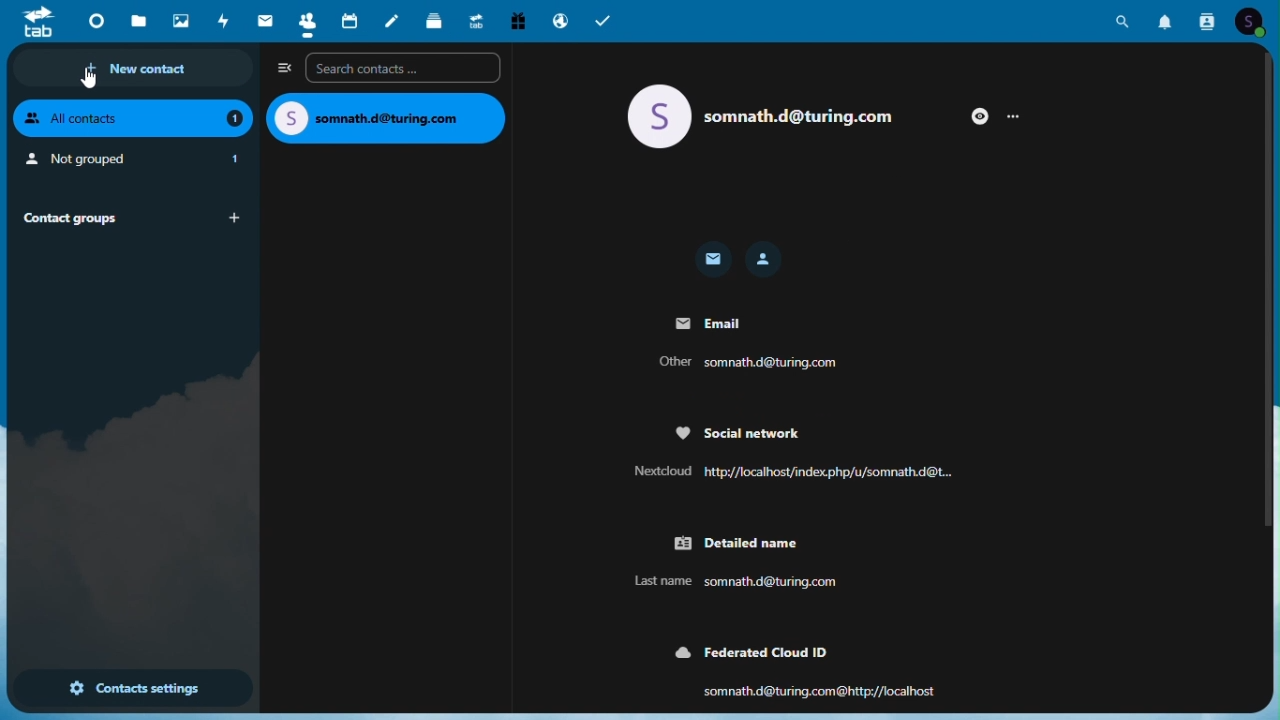  What do you see at coordinates (1272, 297) in the screenshot?
I see `vertical scrollbar` at bounding box center [1272, 297].